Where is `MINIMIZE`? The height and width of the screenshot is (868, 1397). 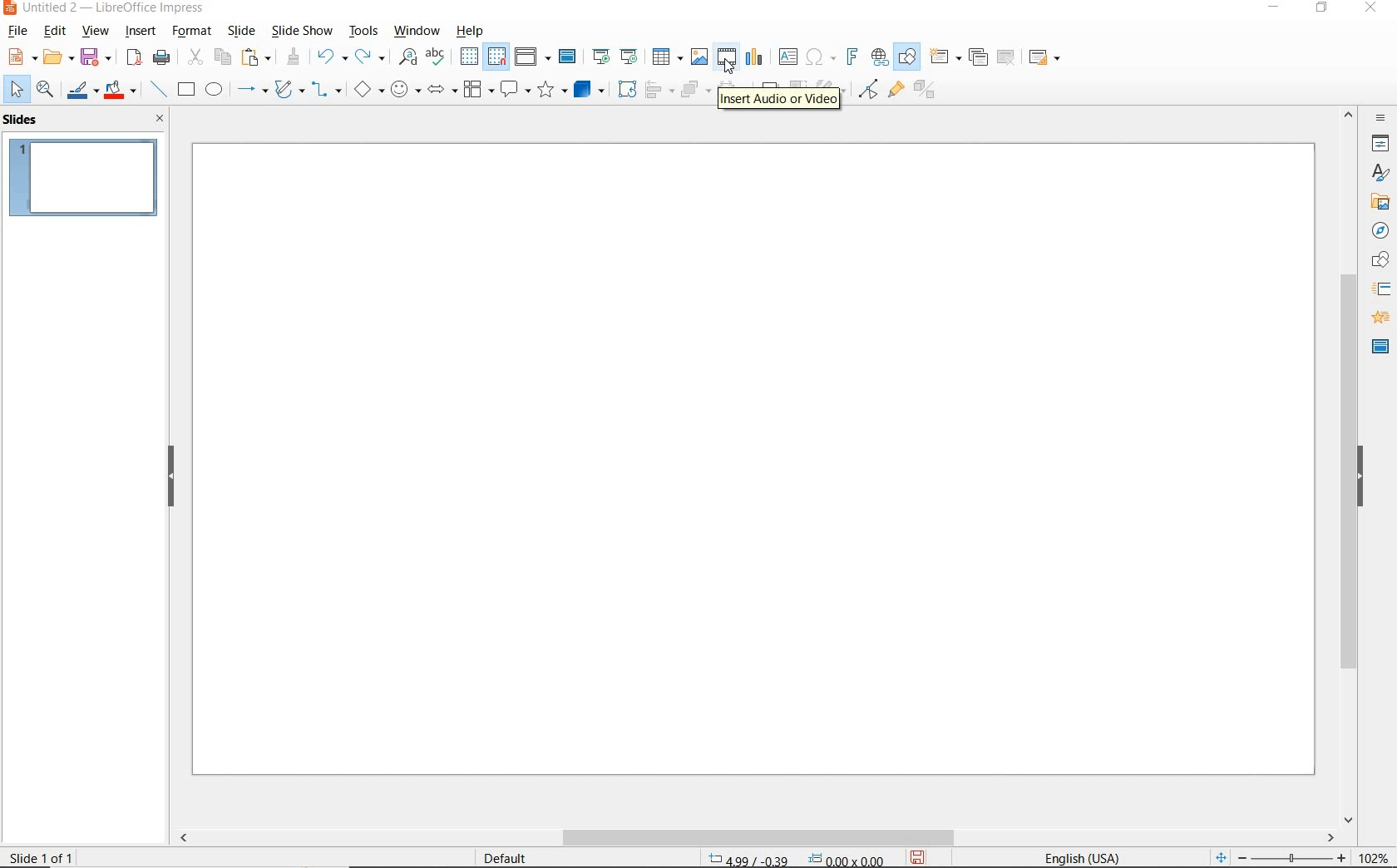
MINIMIZE is located at coordinates (1271, 8).